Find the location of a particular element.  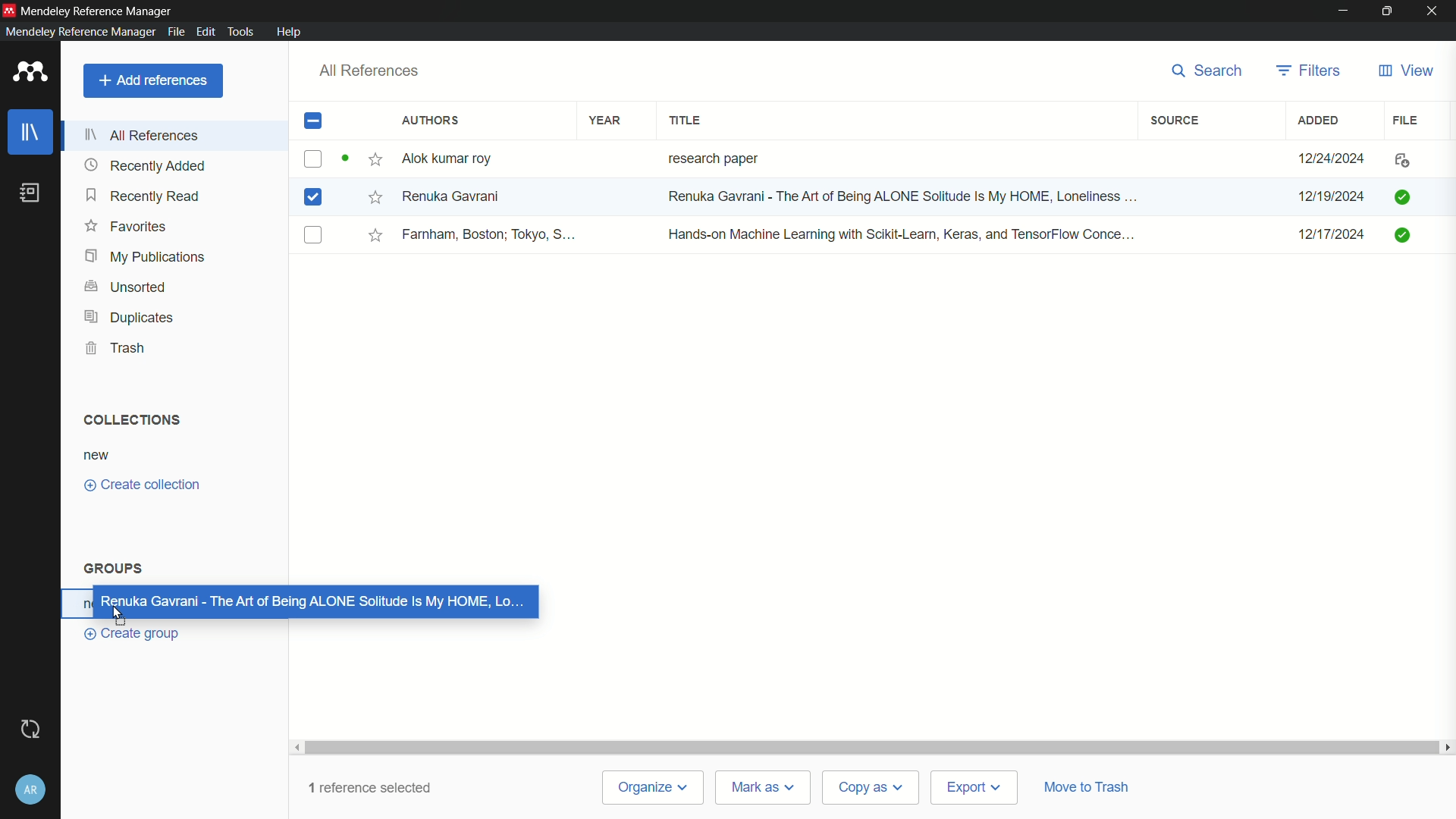

edit menu is located at coordinates (205, 31).